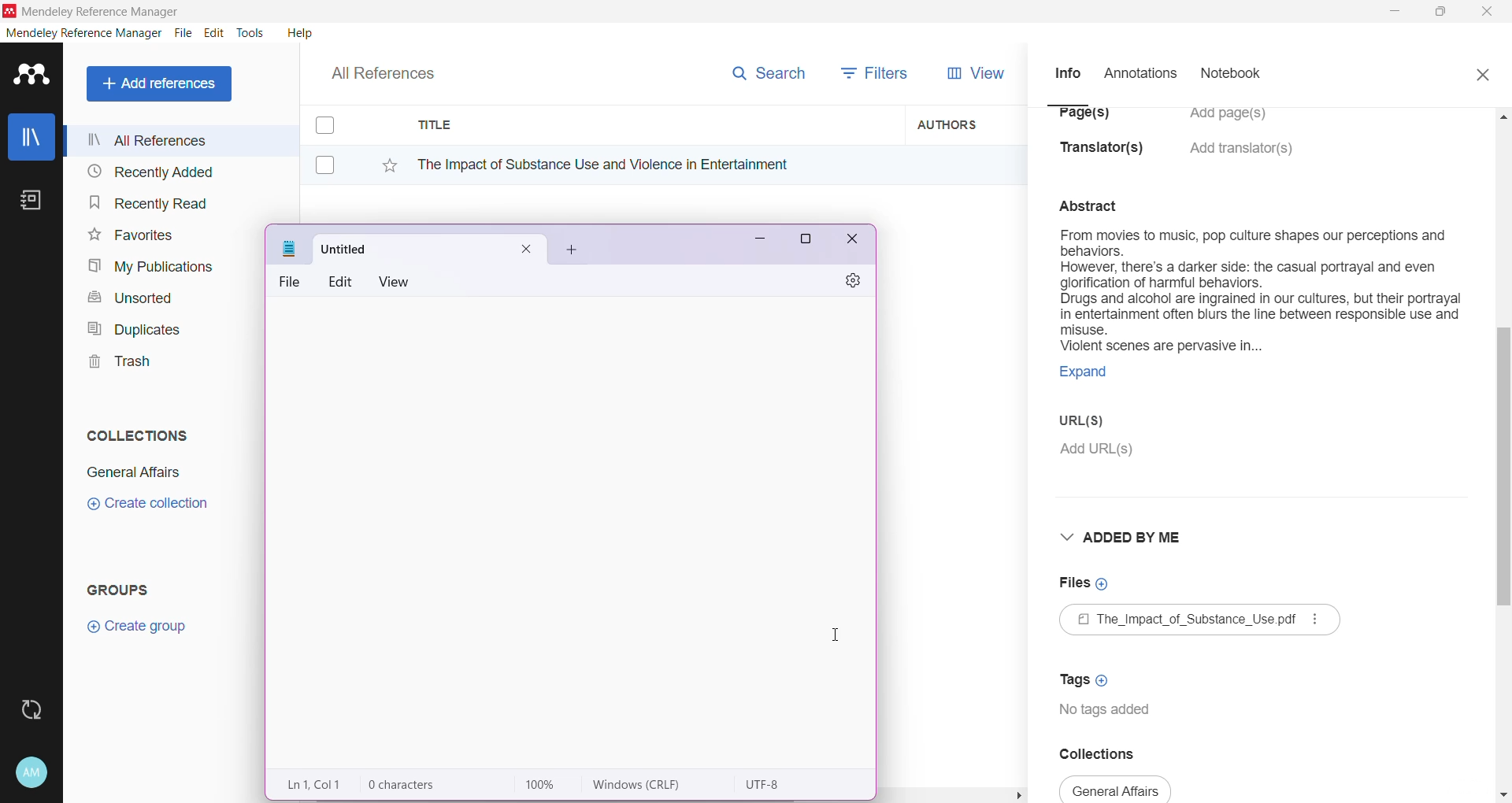  Describe the element at coordinates (1442, 13) in the screenshot. I see `Restore Down` at that location.